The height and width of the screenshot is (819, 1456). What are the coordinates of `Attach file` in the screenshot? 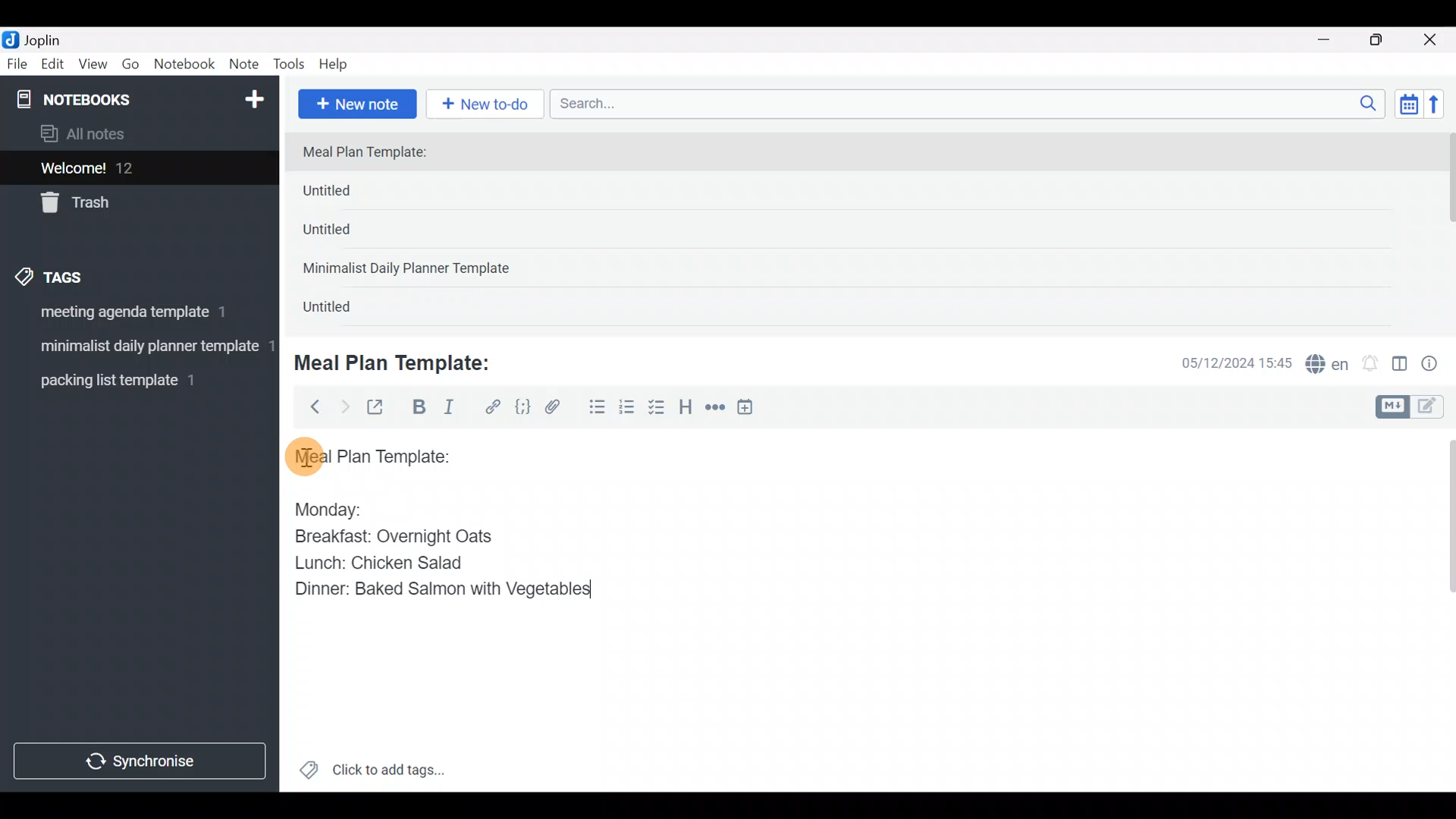 It's located at (557, 409).